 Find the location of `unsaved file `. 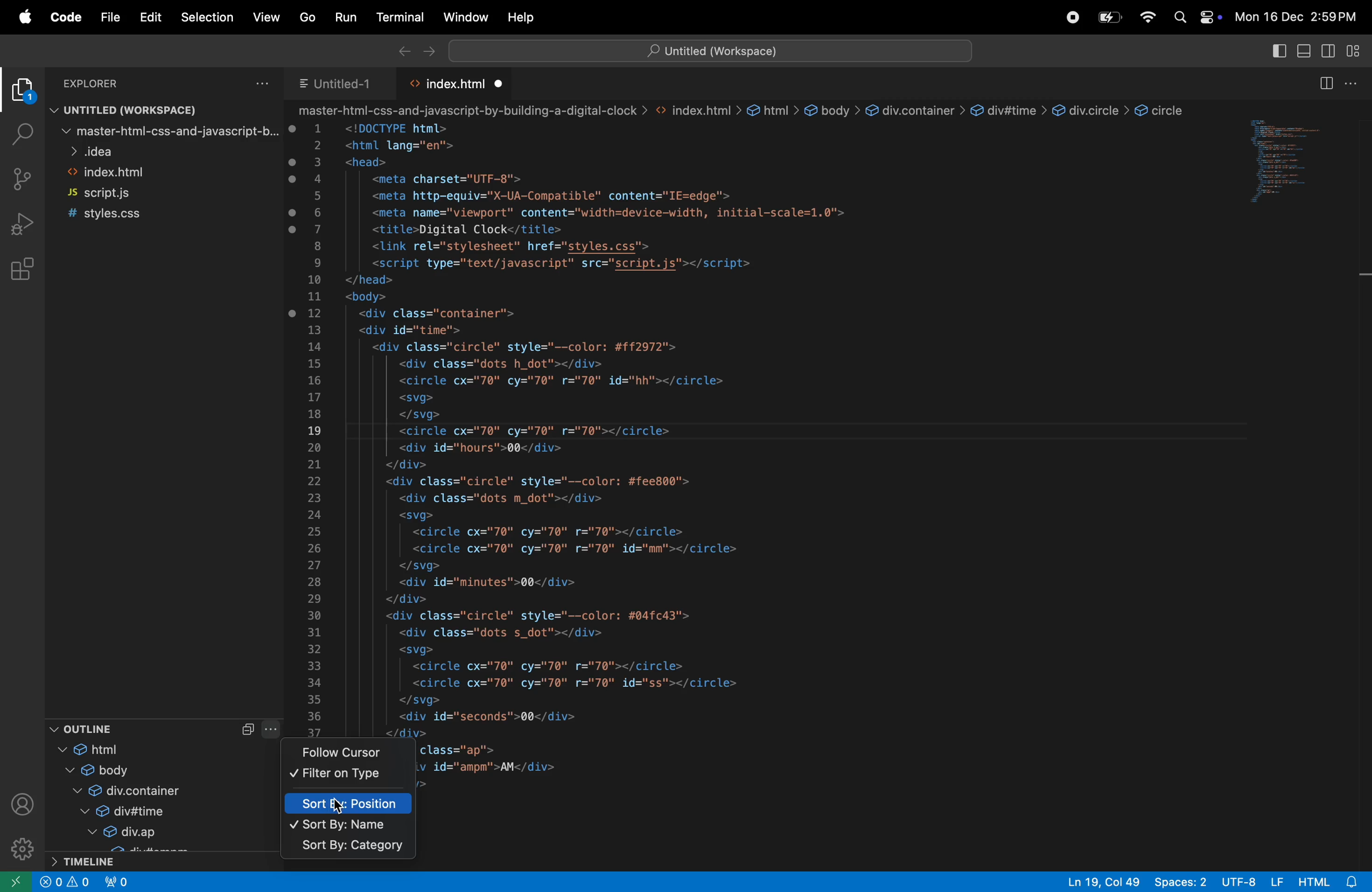

unsaved file  is located at coordinates (501, 84).